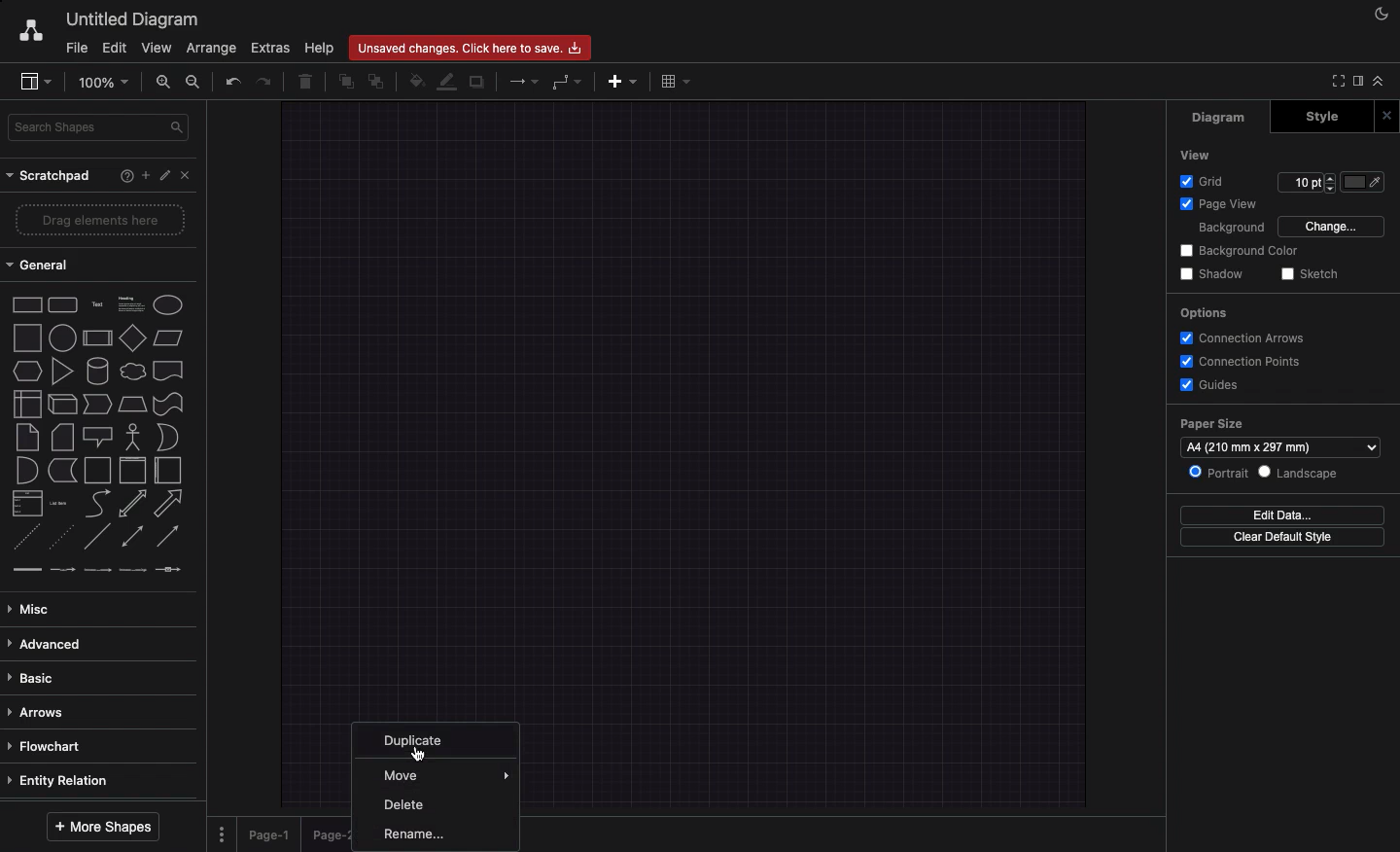  I want to click on Add, so click(140, 175).